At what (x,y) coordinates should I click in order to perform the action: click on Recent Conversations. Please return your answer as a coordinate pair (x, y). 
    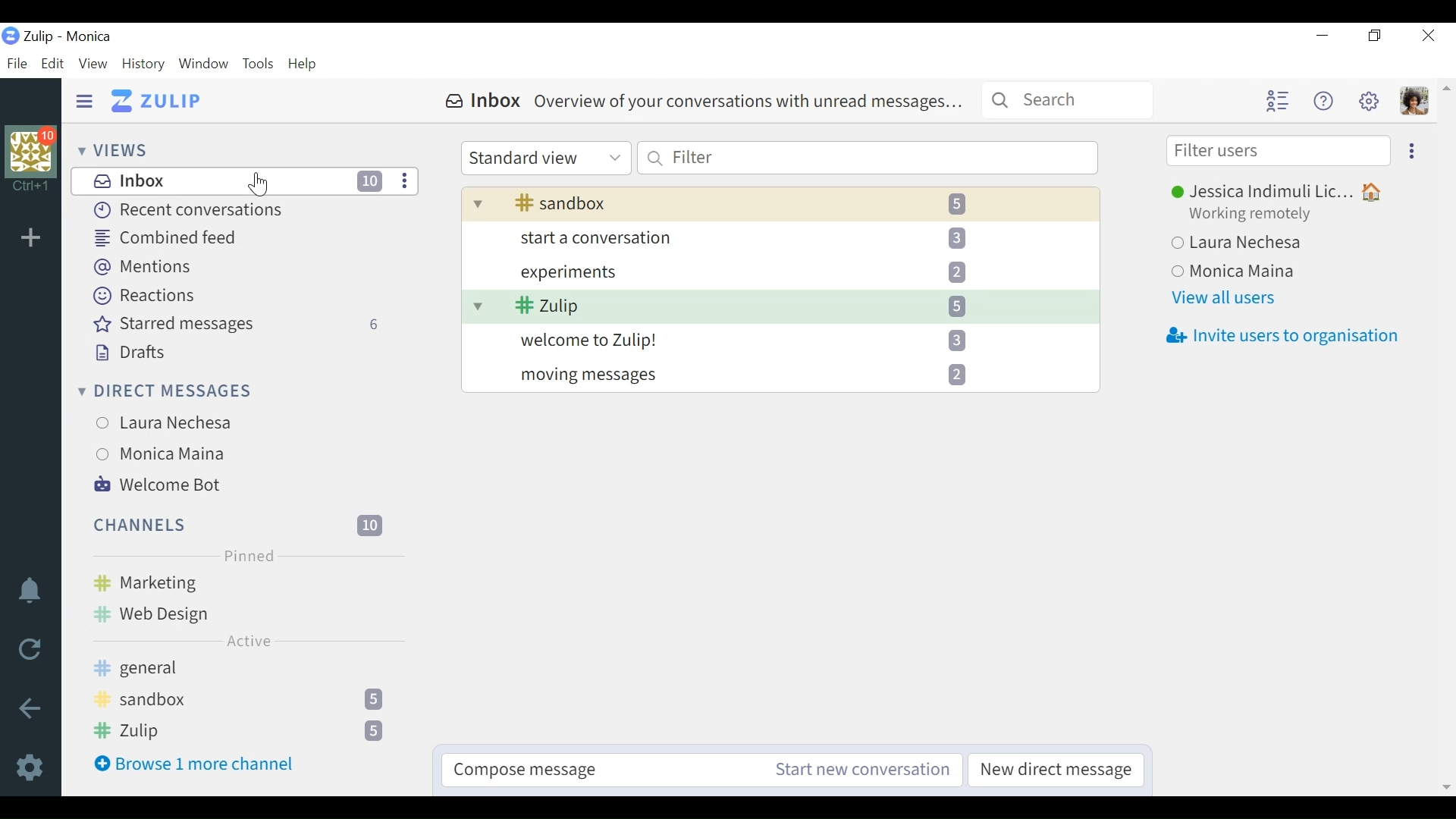
    Looking at the image, I should click on (193, 210).